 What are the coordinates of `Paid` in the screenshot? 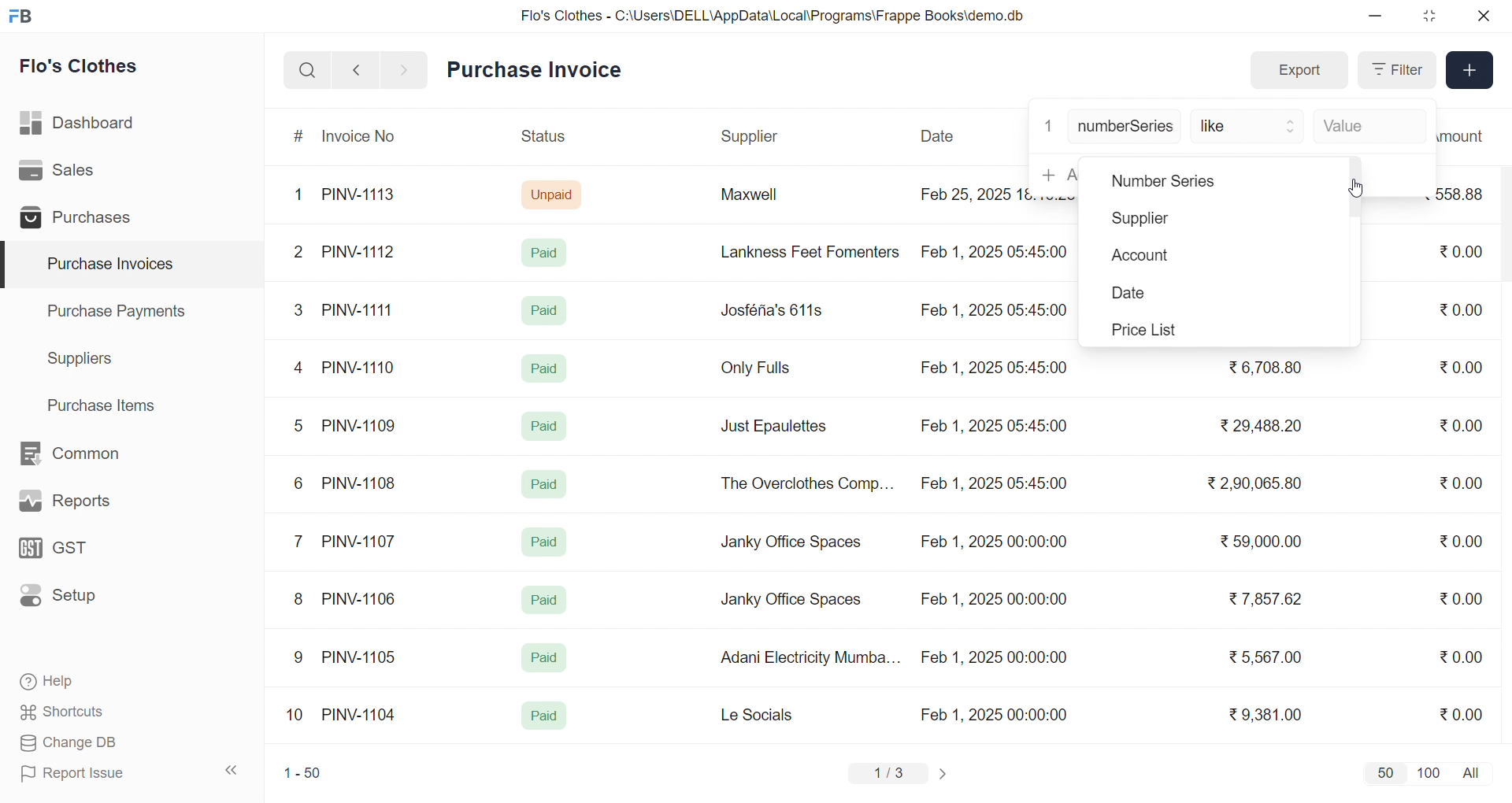 It's located at (547, 424).